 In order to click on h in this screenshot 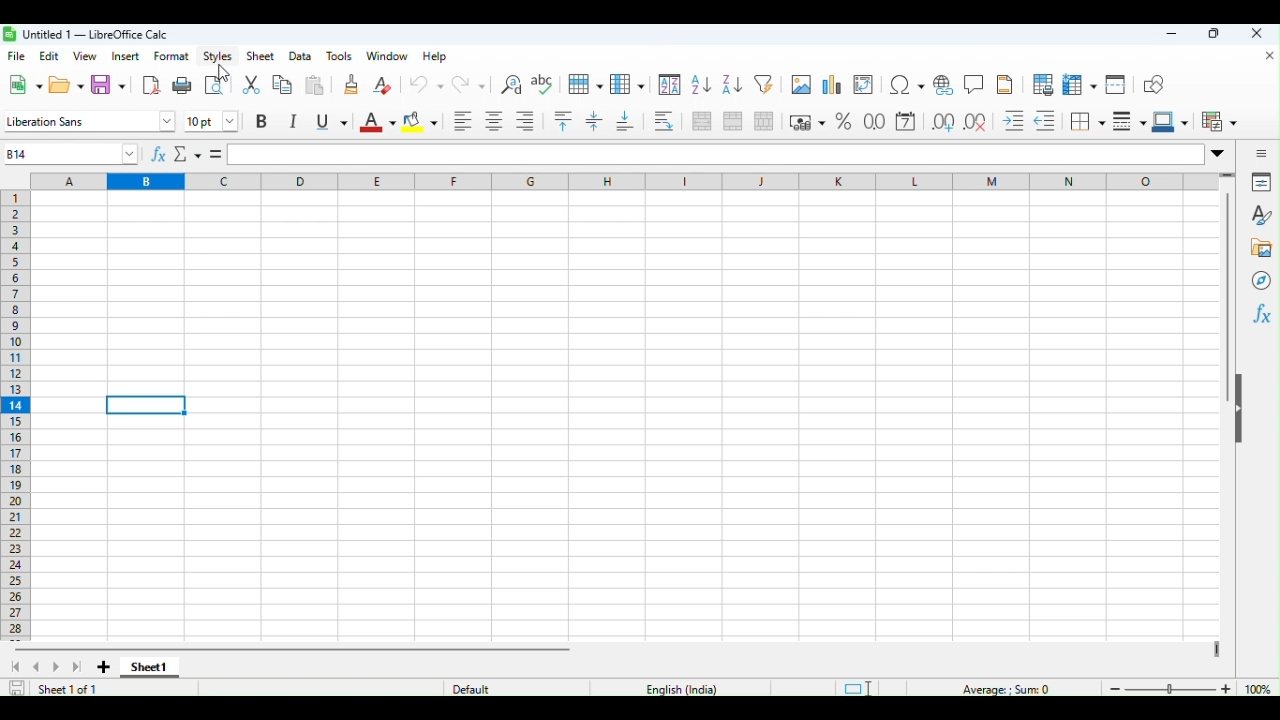, I will do `click(603, 181)`.